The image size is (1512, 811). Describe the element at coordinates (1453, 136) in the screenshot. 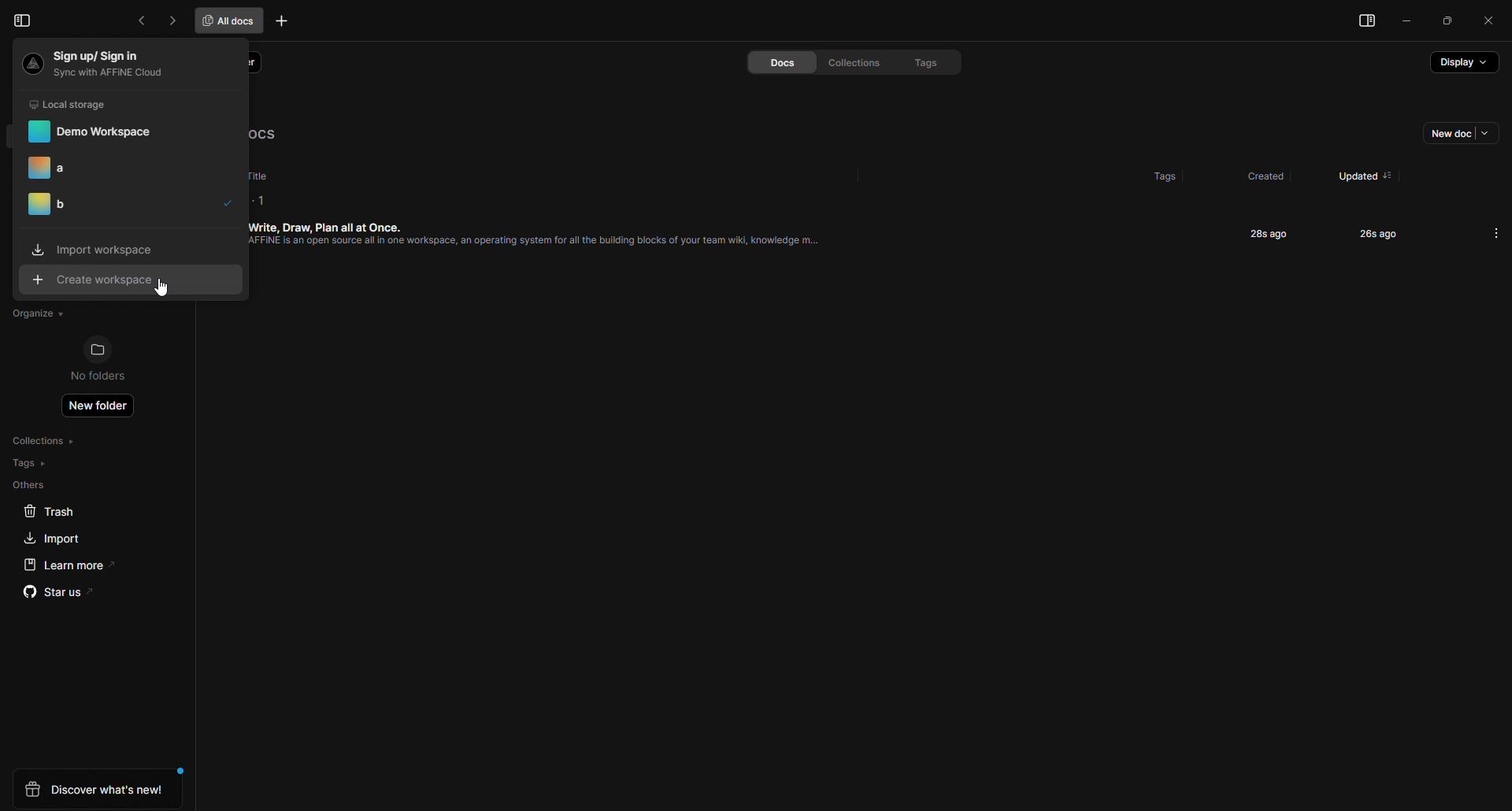

I see `new doc` at that location.